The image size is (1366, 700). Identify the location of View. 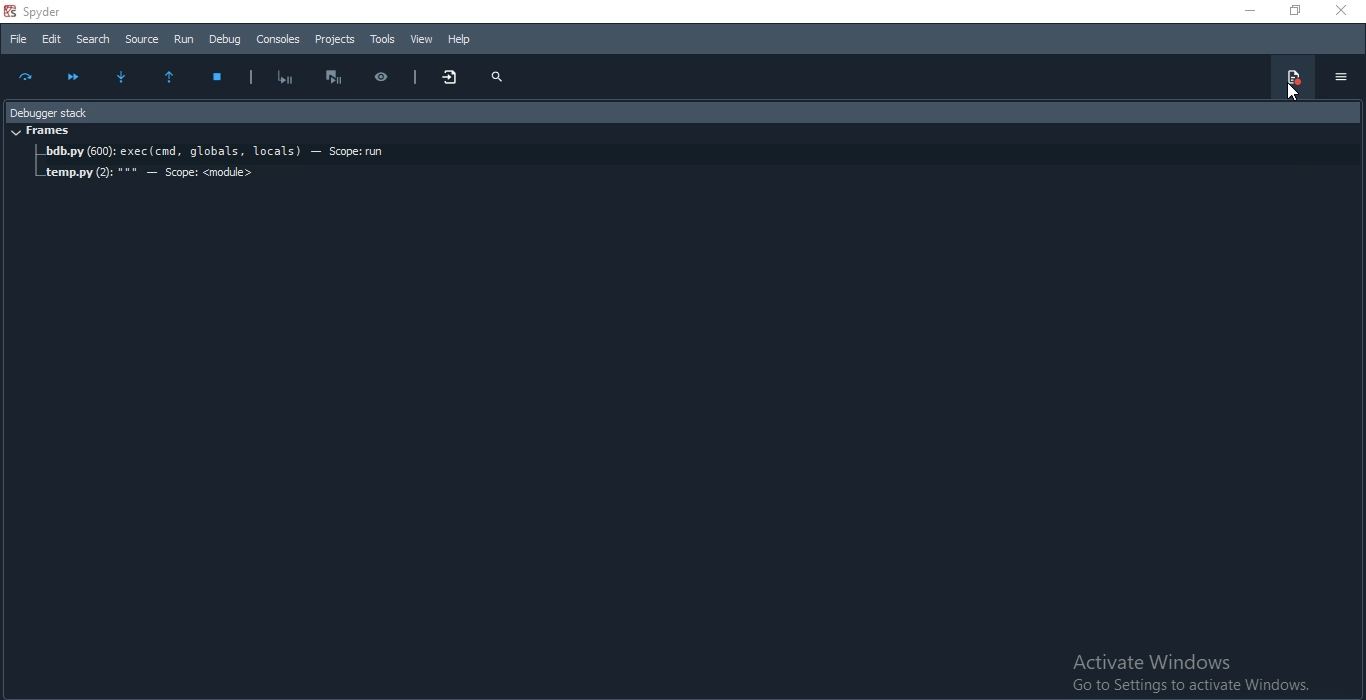
(421, 39).